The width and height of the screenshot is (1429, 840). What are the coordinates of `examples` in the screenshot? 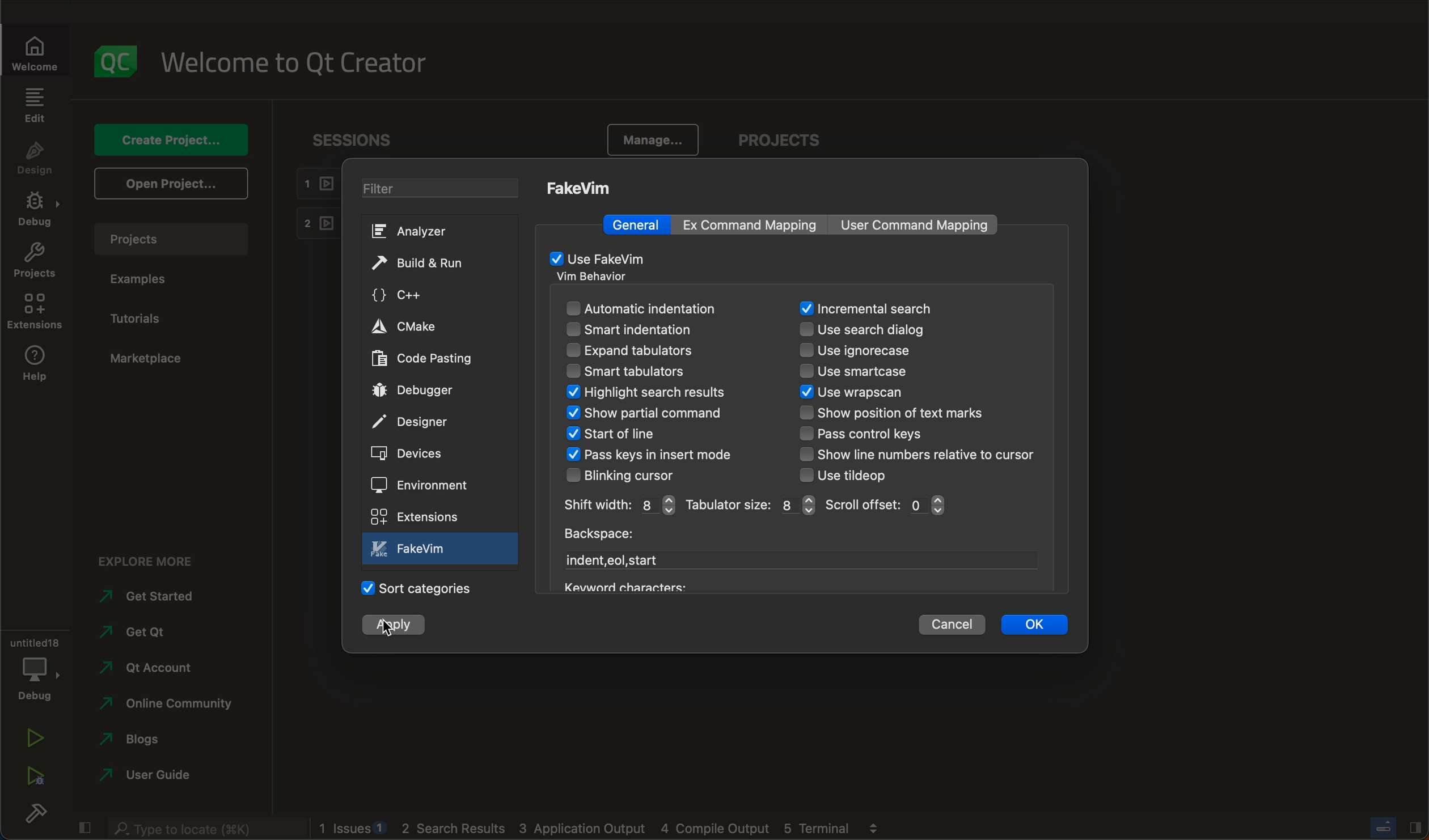 It's located at (143, 278).